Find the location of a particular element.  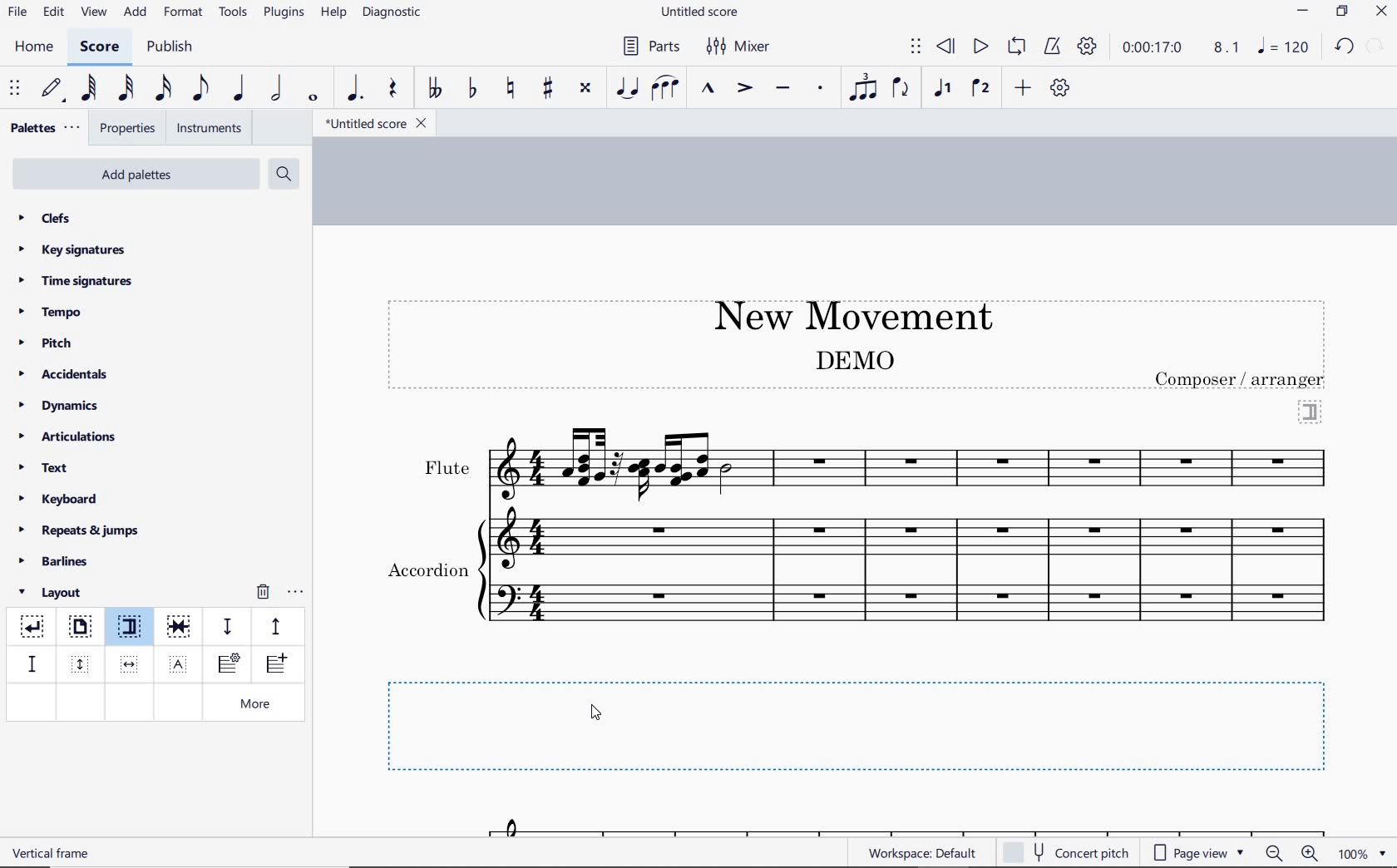

play is located at coordinates (979, 48).